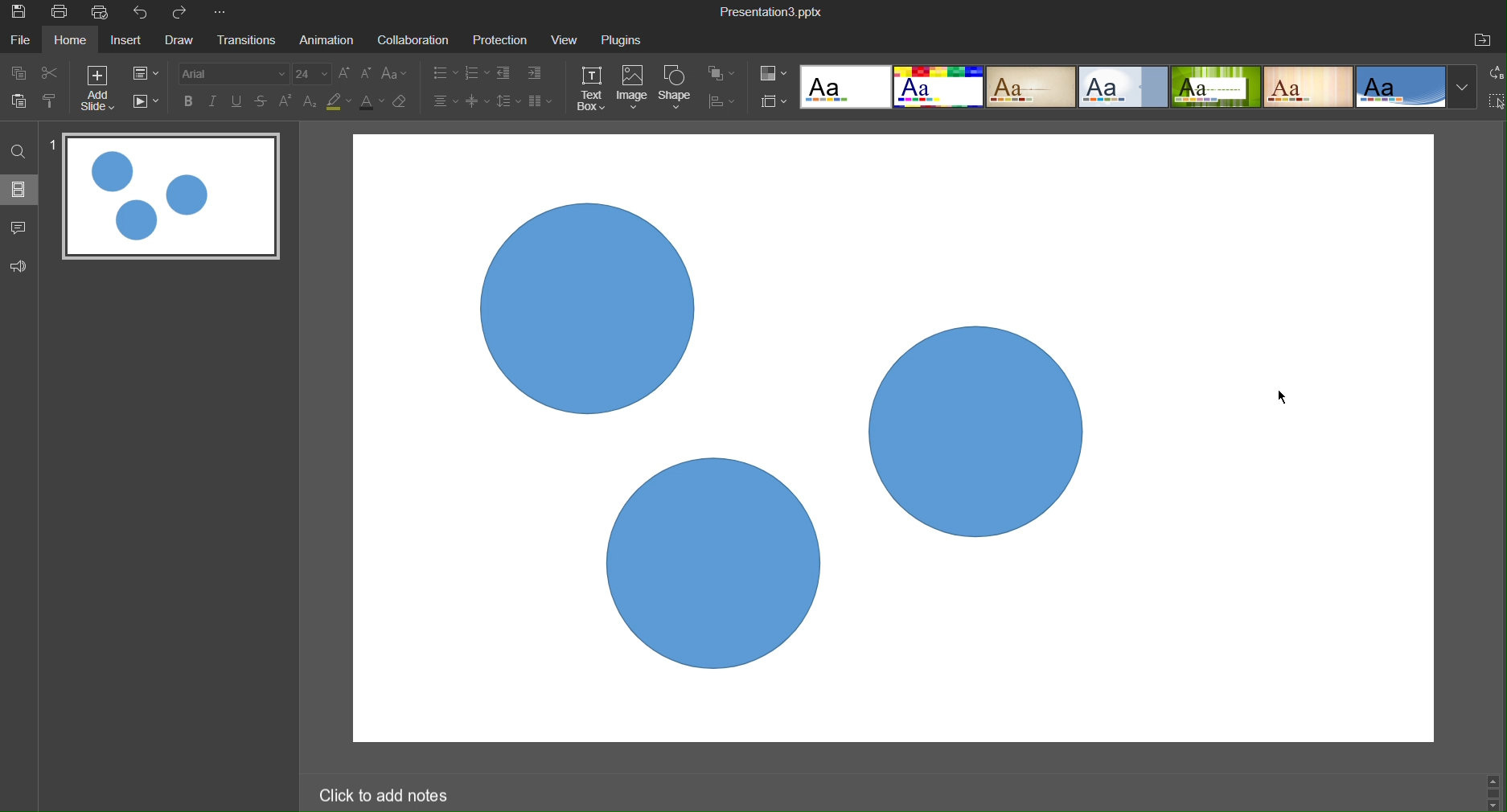 This screenshot has width=1507, height=812. What do you see at coordinates (345, 73) in the screenshot?
I see `Increase size` at bounding box center [345, 73].